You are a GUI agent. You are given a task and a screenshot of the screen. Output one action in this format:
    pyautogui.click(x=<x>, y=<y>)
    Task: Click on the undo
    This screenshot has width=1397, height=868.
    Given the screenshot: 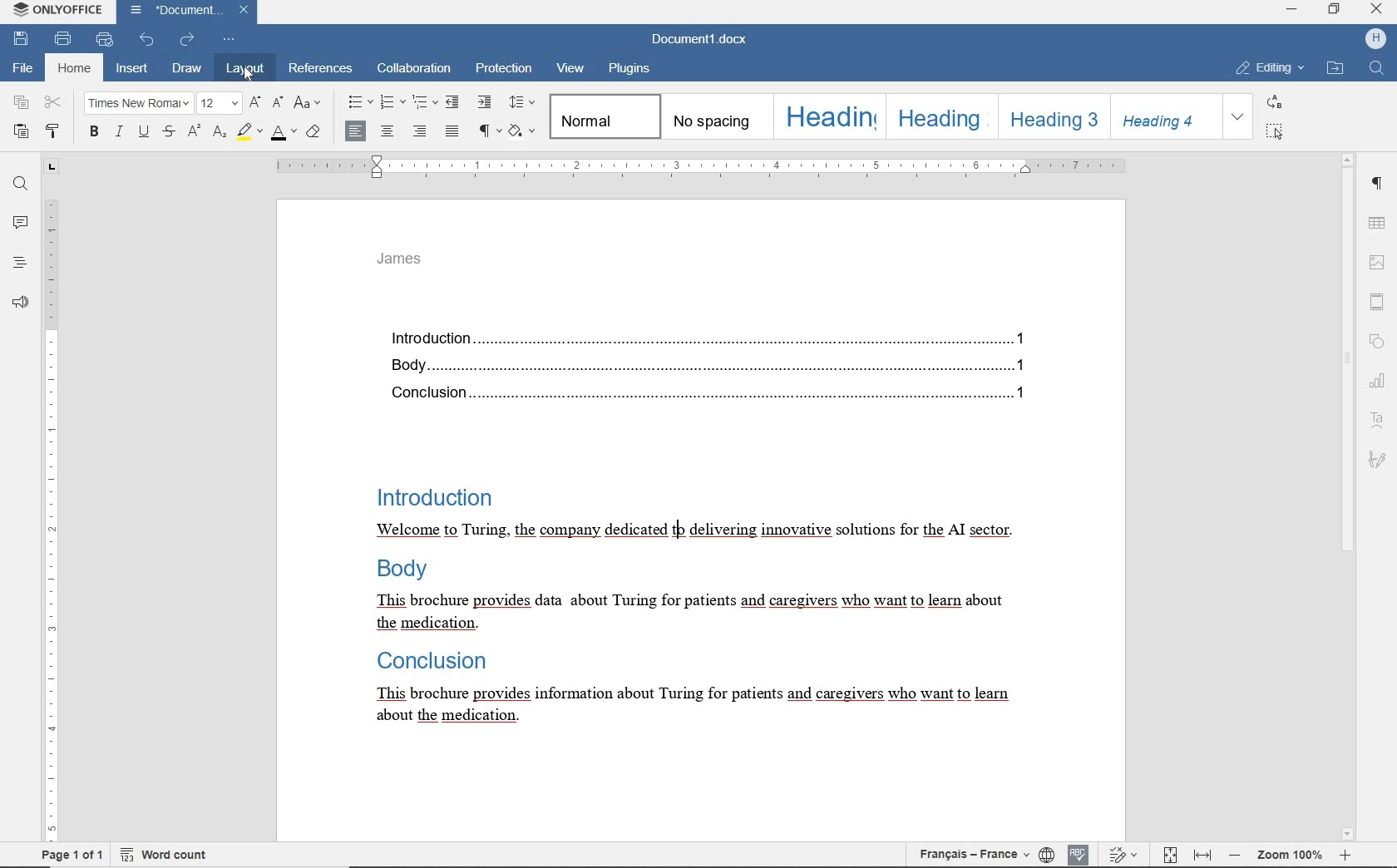 What is the action you would take?
    pyautogui.click(x=147, y=40)
    